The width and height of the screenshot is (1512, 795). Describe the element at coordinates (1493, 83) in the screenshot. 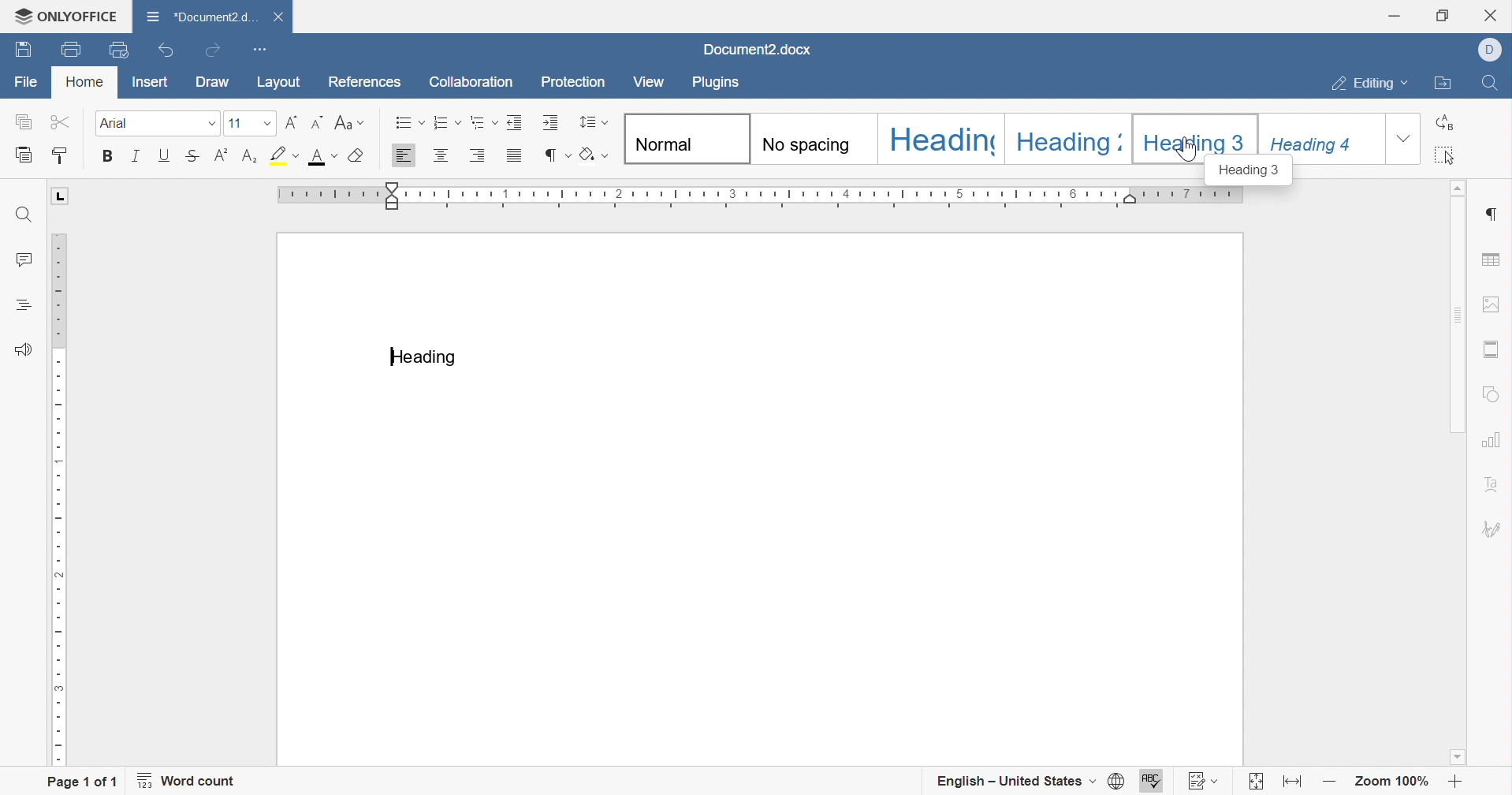

I see `Find` at that location.